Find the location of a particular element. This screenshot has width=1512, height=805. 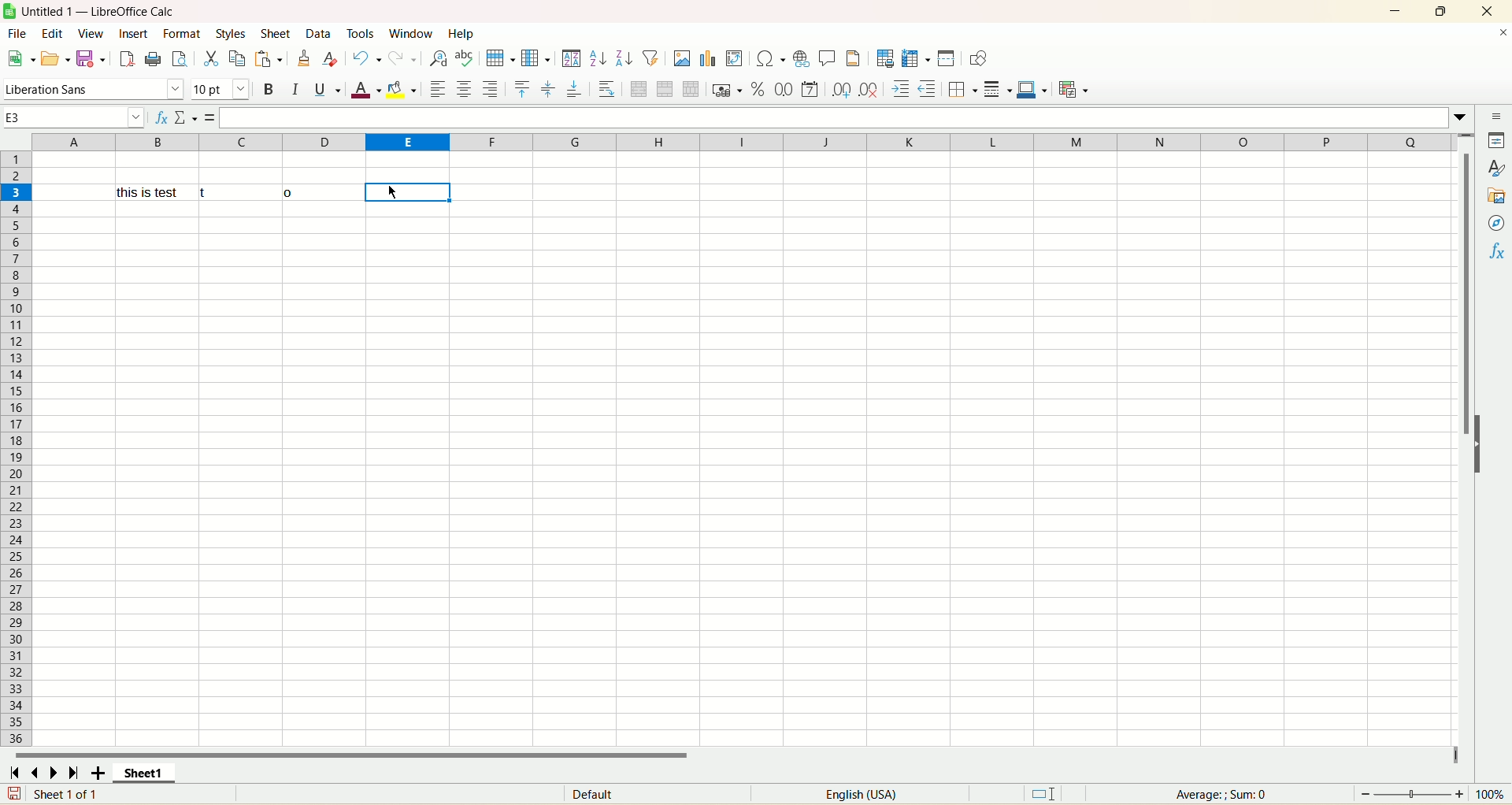

vertical scroll bar is located at coordinates (1462, 460).